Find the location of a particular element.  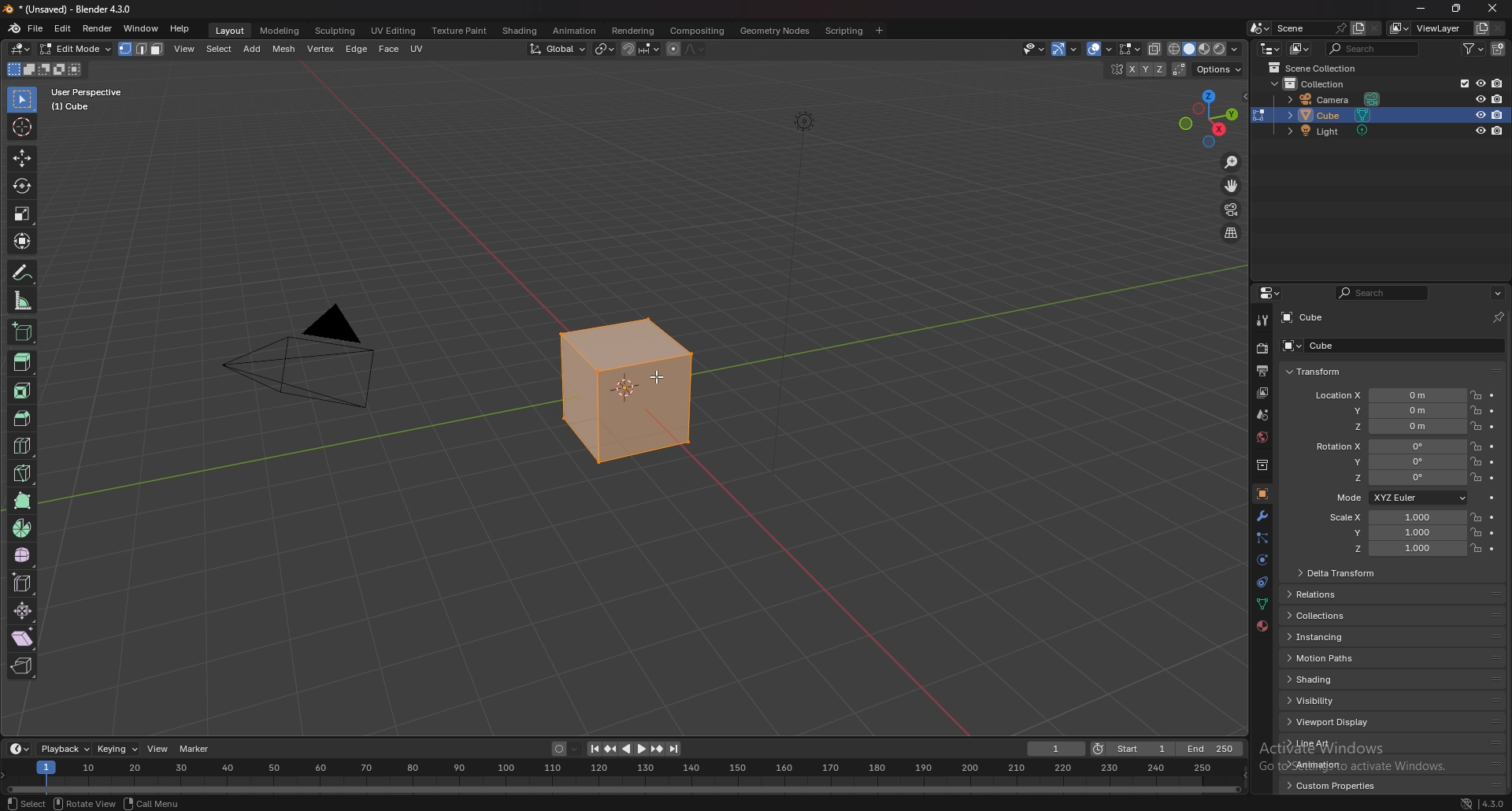

new collection is located at coordinates (1499, 49).